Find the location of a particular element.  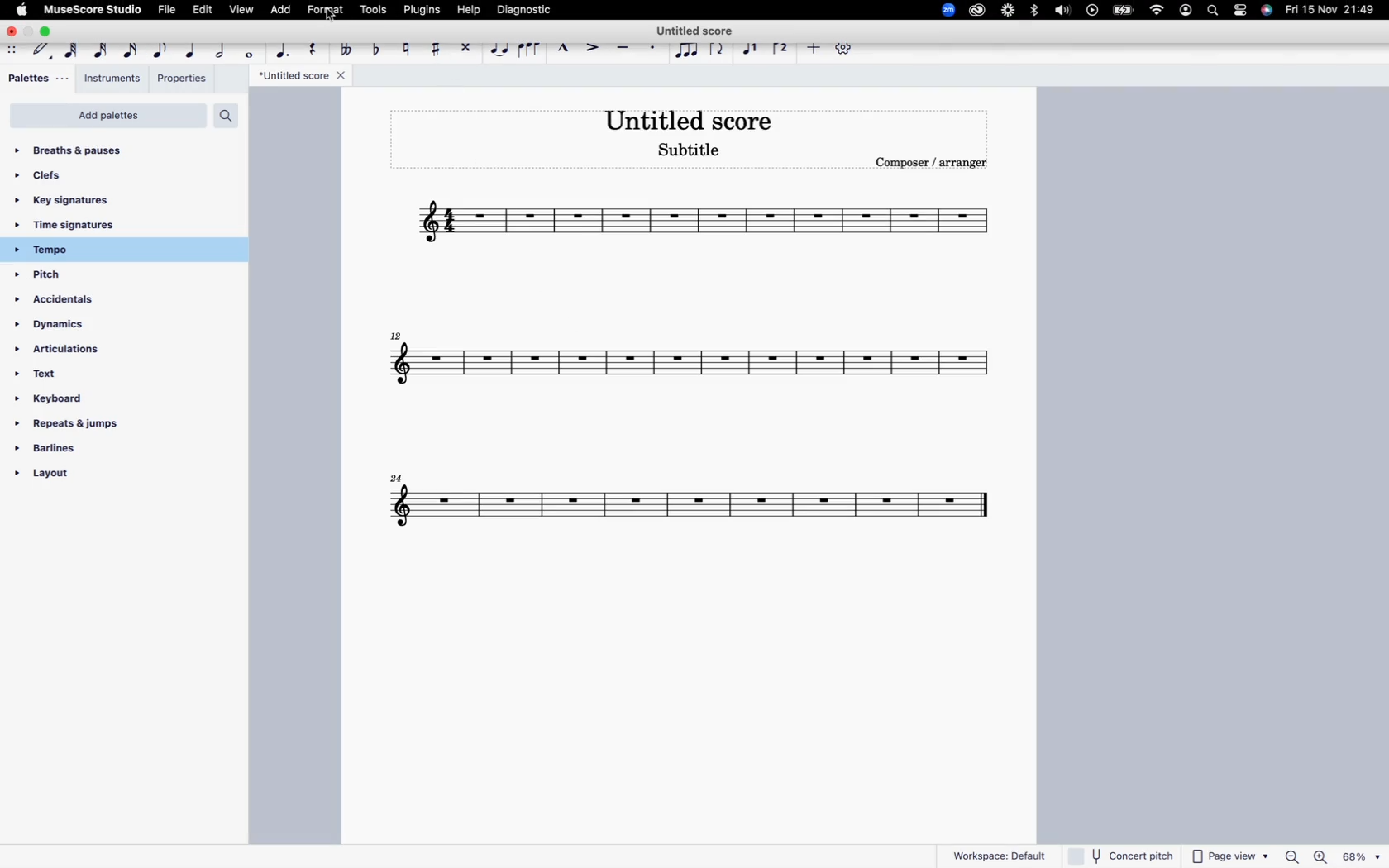

view is located at coordinates (241, 9).